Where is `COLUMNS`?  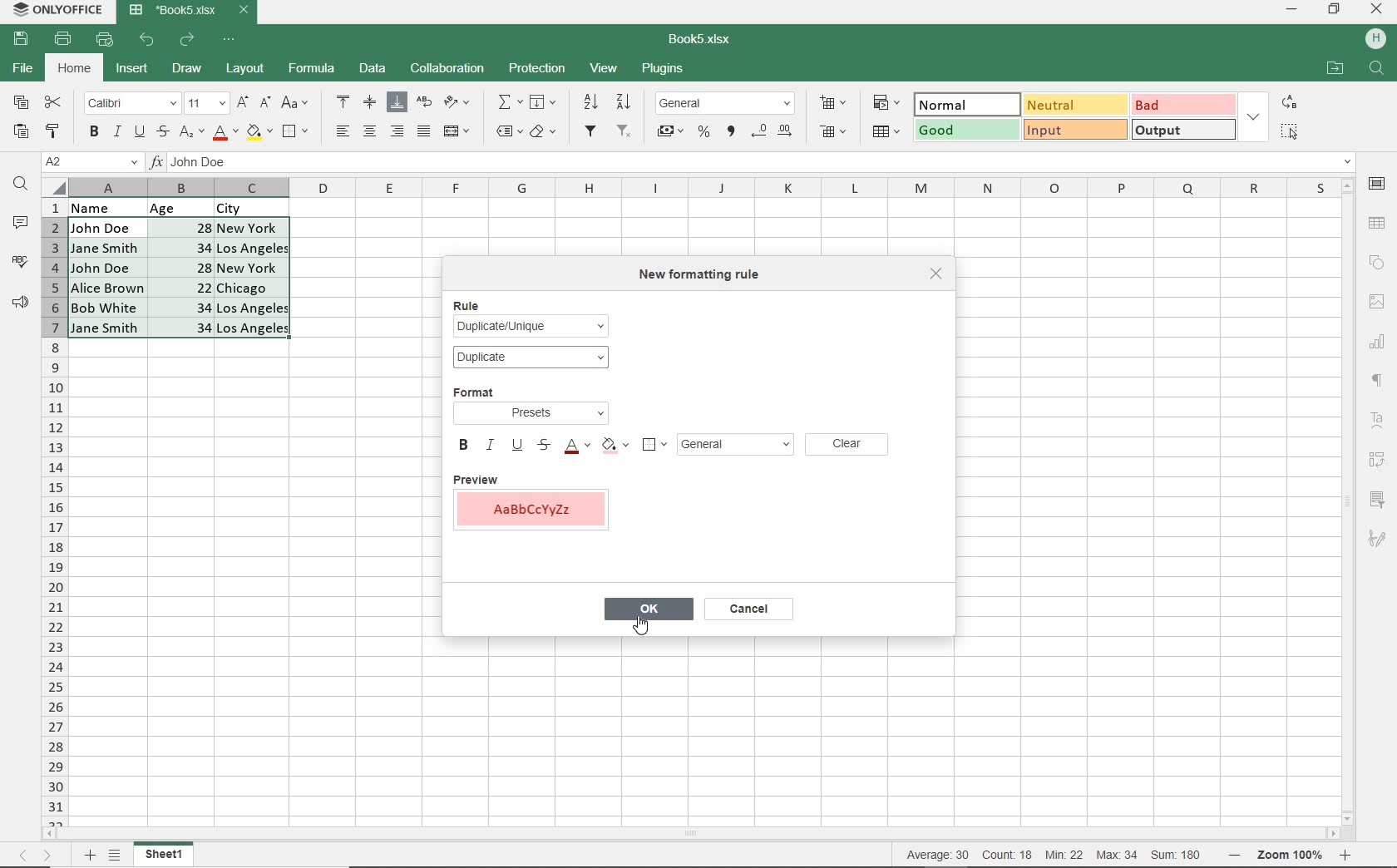
COLUMNS is located at coordinates (54, 511).